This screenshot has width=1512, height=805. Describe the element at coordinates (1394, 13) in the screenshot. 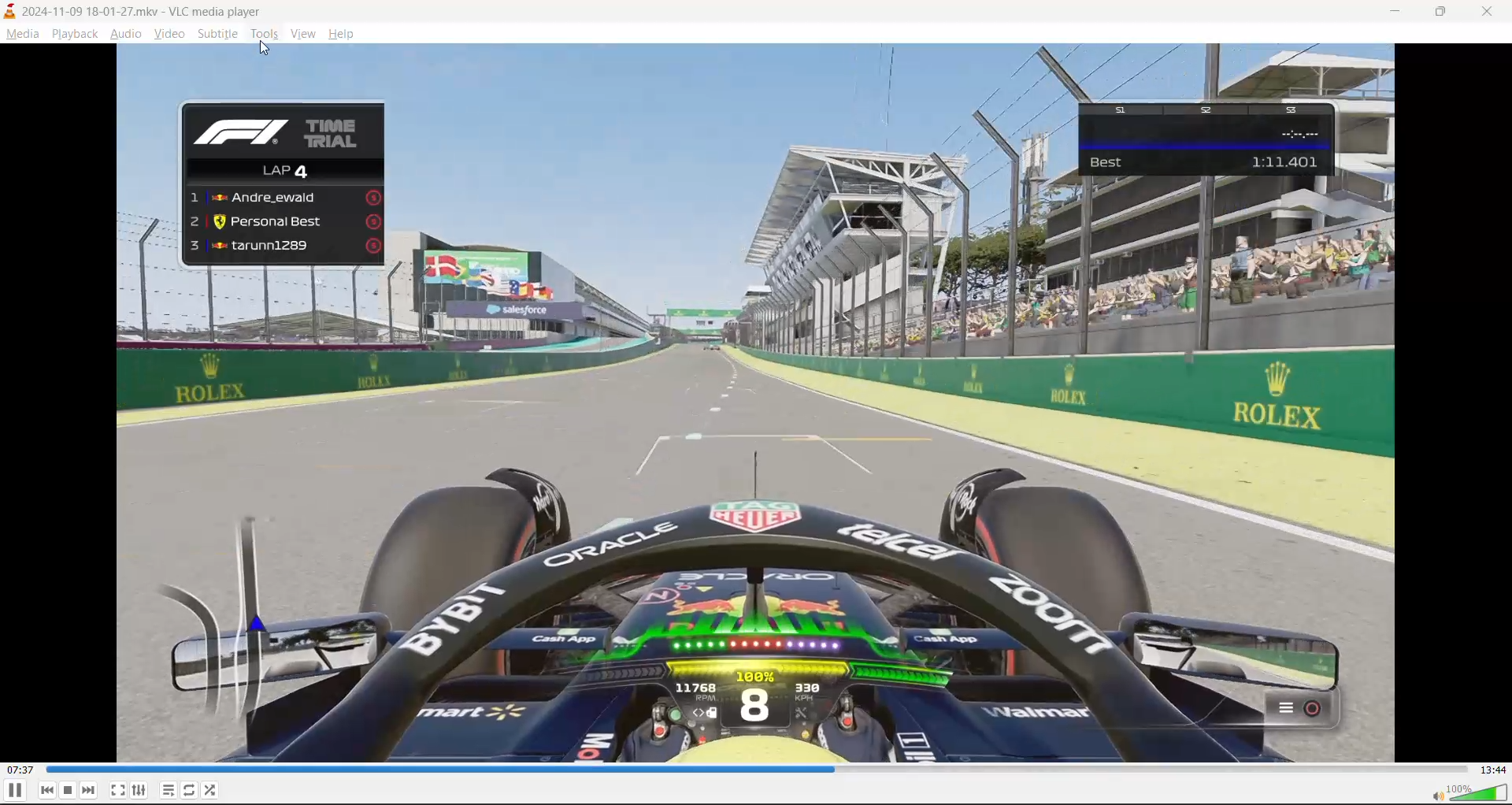

I see `minimize` at that location.